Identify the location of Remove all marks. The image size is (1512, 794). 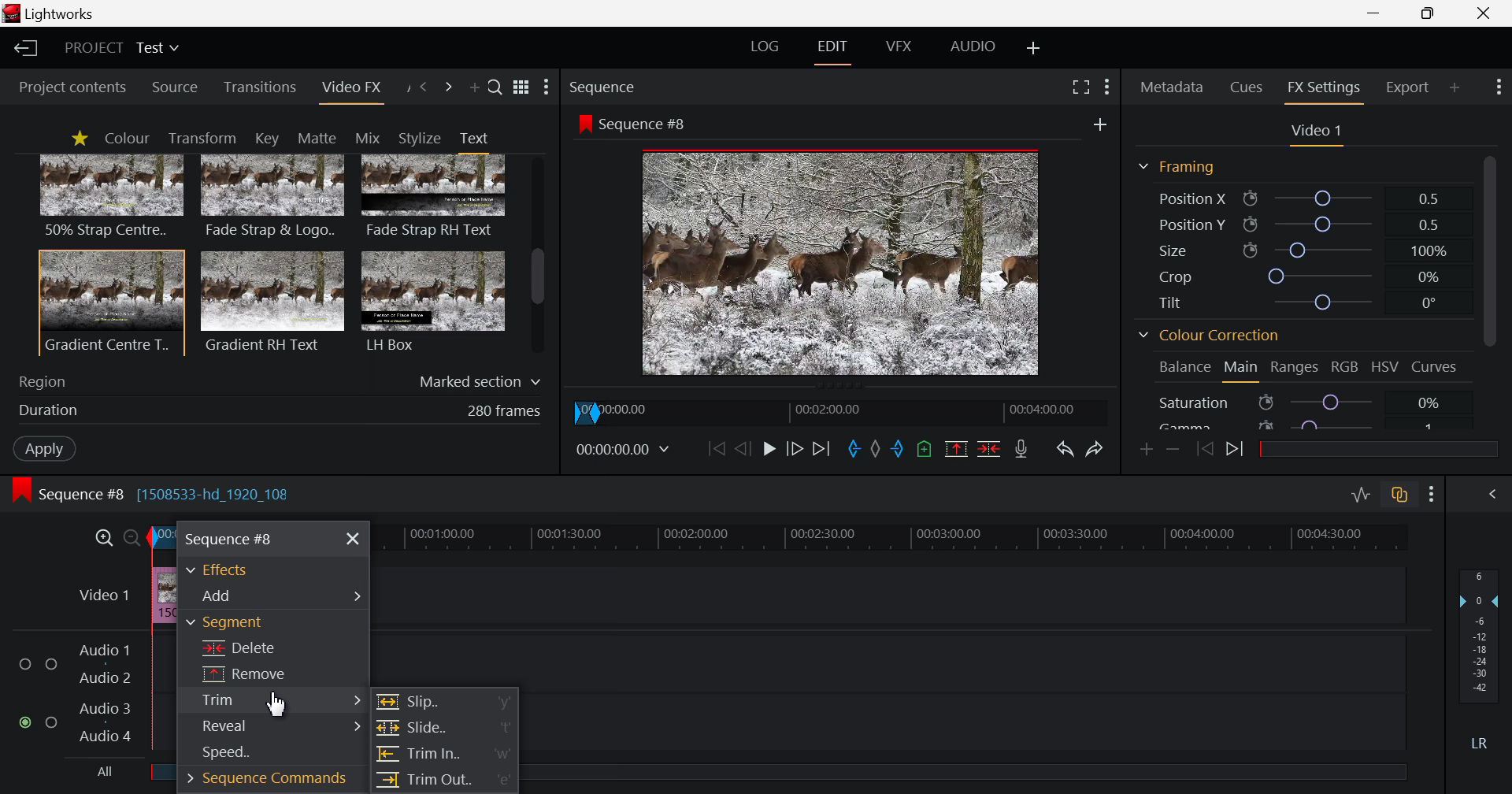
(874, 450).